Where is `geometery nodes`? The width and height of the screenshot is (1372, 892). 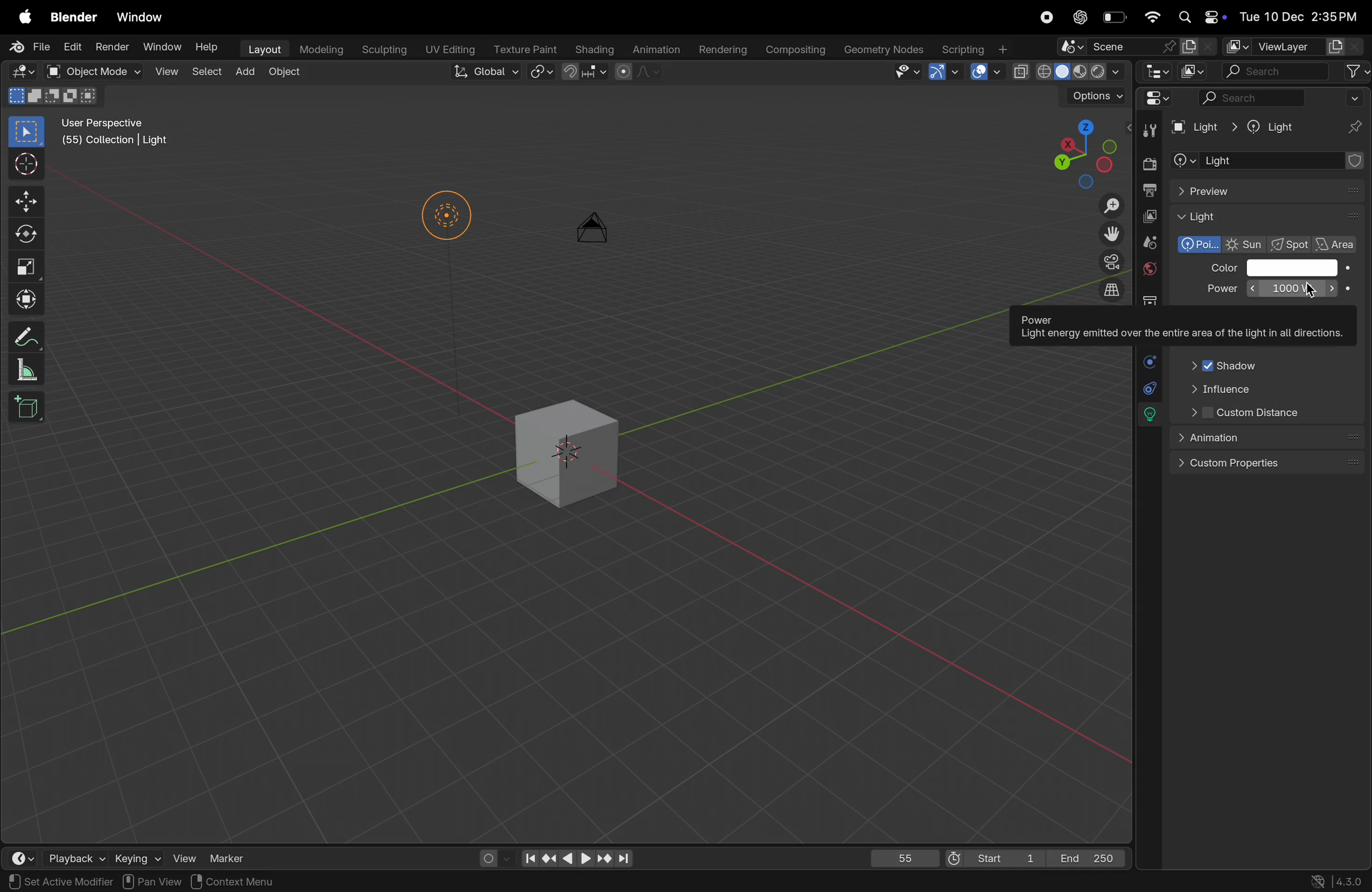
geometery nodes is located at coordinates (884, 48).